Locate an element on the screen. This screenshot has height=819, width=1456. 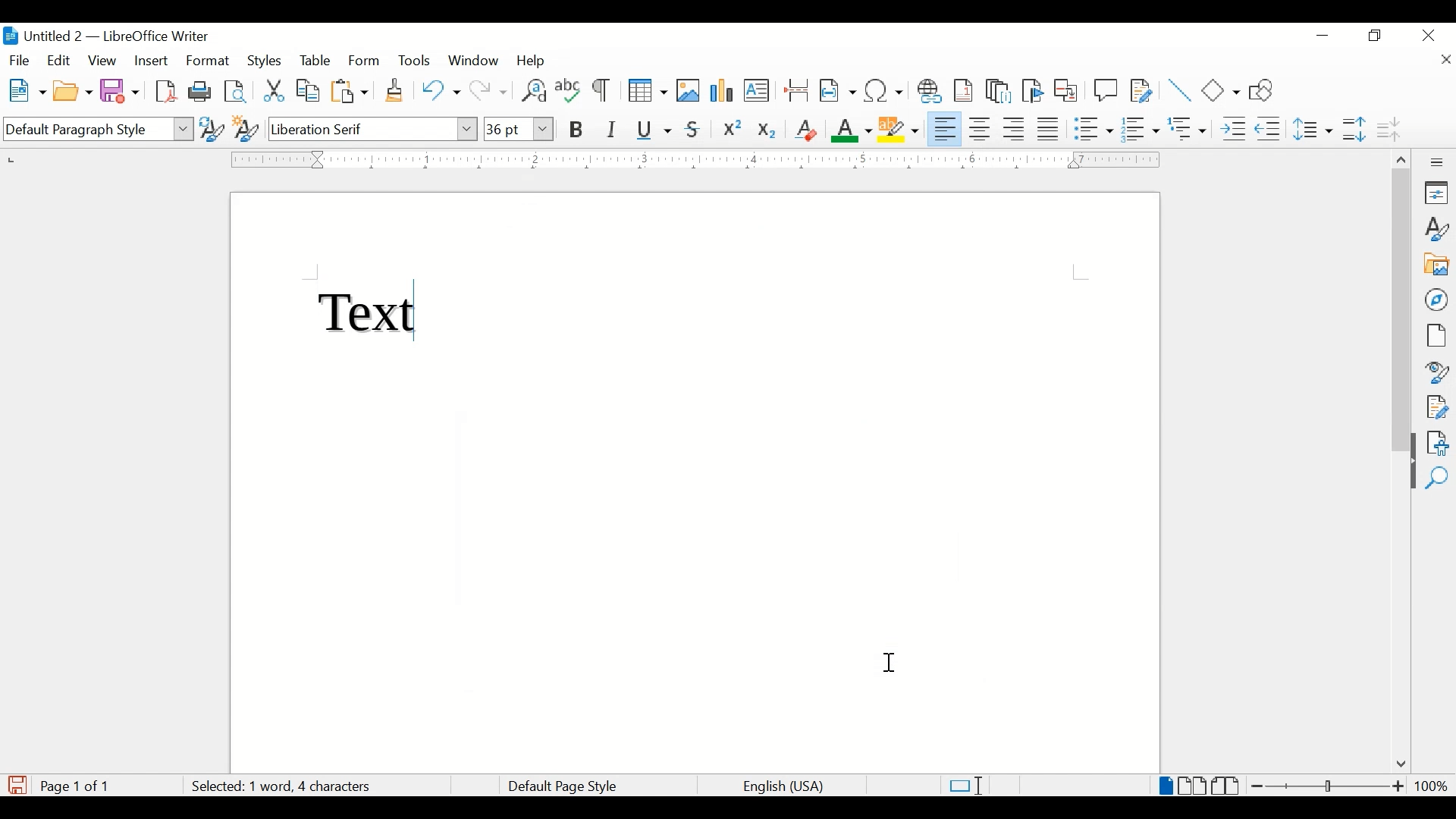
check spelling is located at coordinates (569, 89).